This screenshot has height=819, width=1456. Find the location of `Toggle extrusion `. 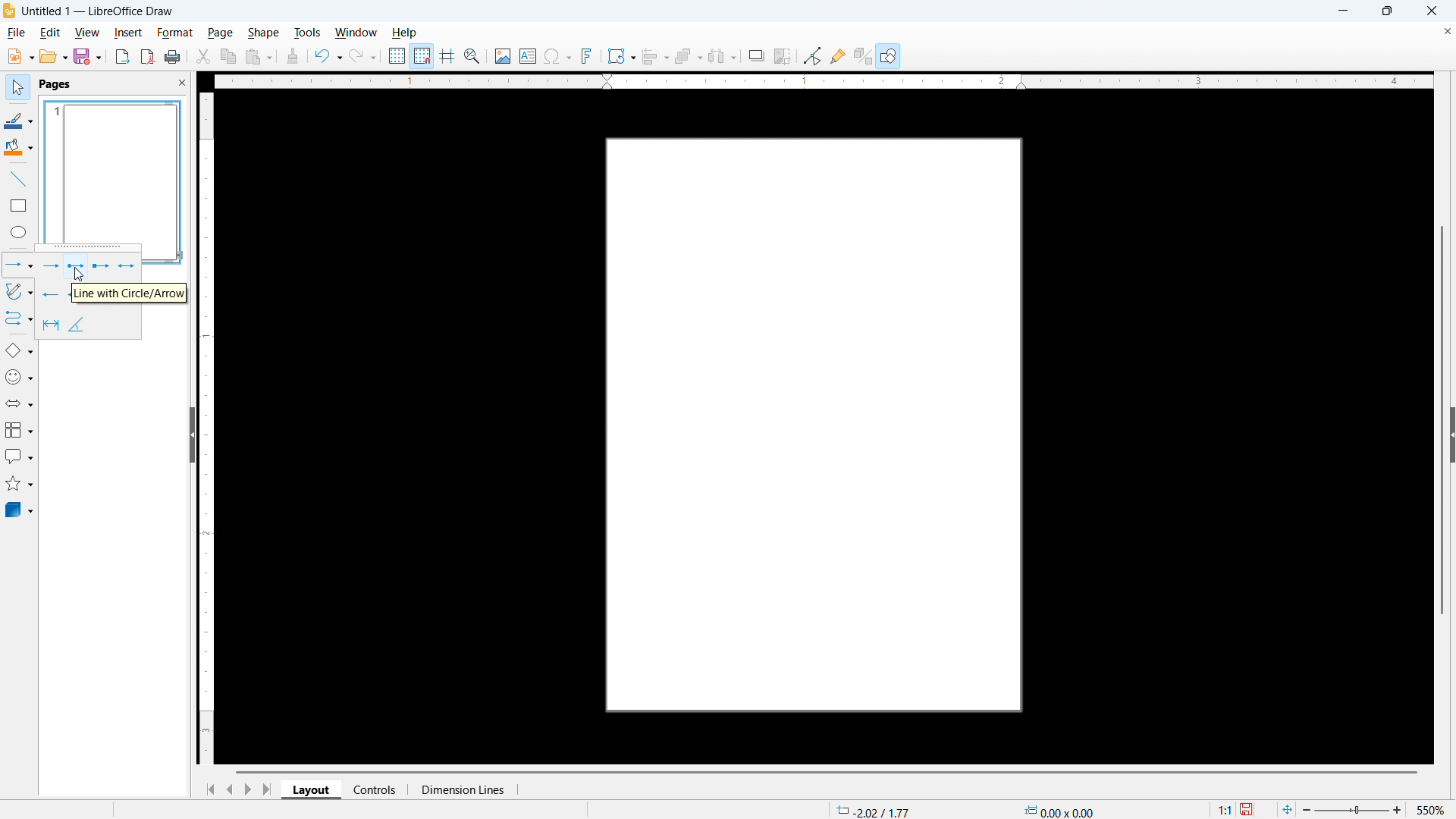

Toggle extrusion  is located at coordinates (863, 55).